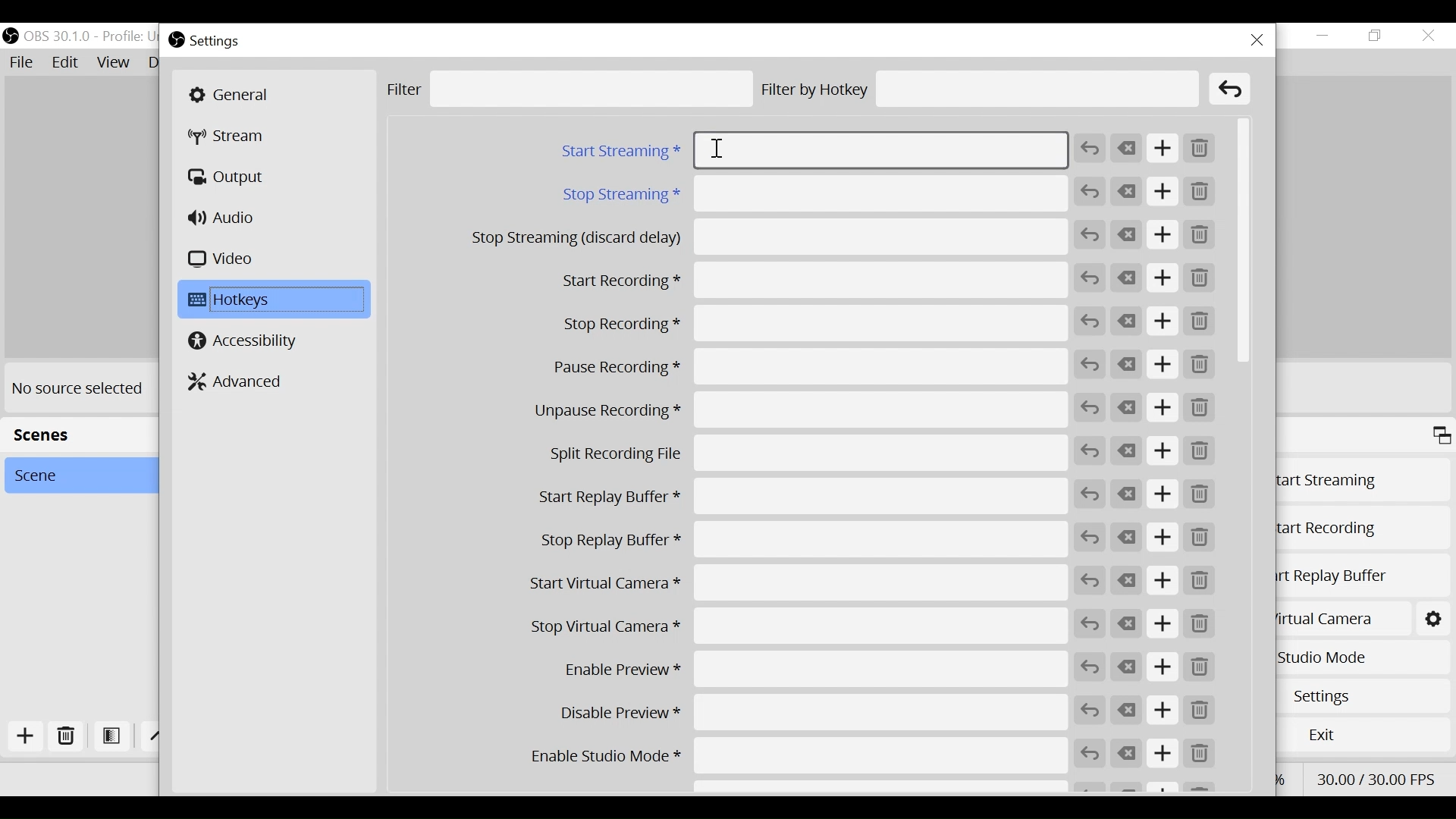 This screenshot has width=1456, height=819. Describe the element at coordinates (1163, 407) in the screenshot. I see `Add` at that location.